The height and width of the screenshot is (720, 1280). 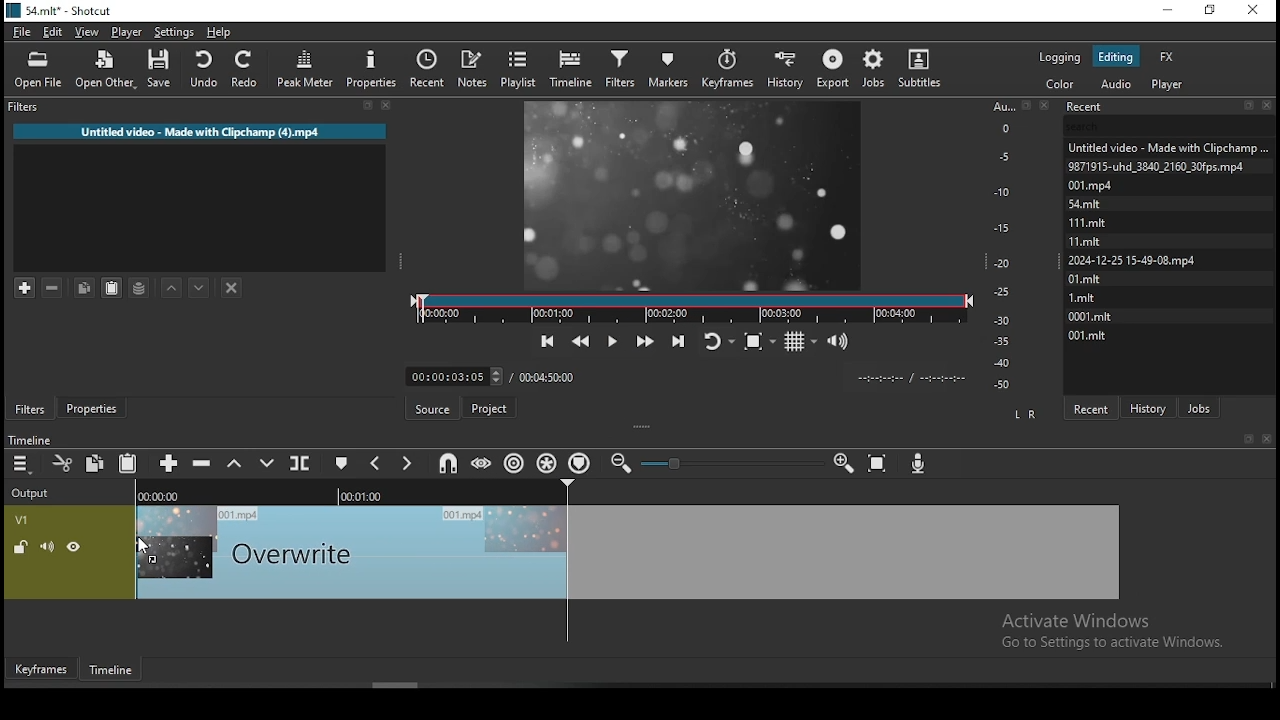 I want to click on files, so click(x=1087, y=185).